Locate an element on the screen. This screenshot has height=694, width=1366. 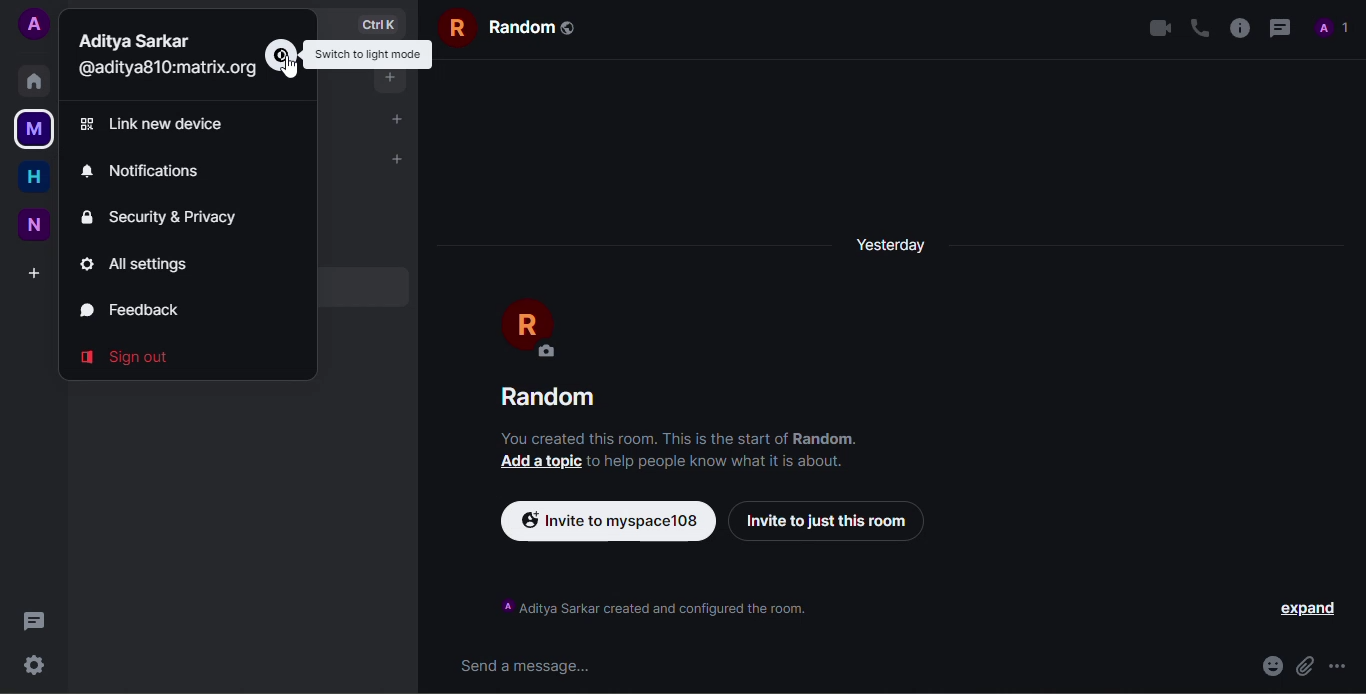
day is located at coordinates (891, 244).